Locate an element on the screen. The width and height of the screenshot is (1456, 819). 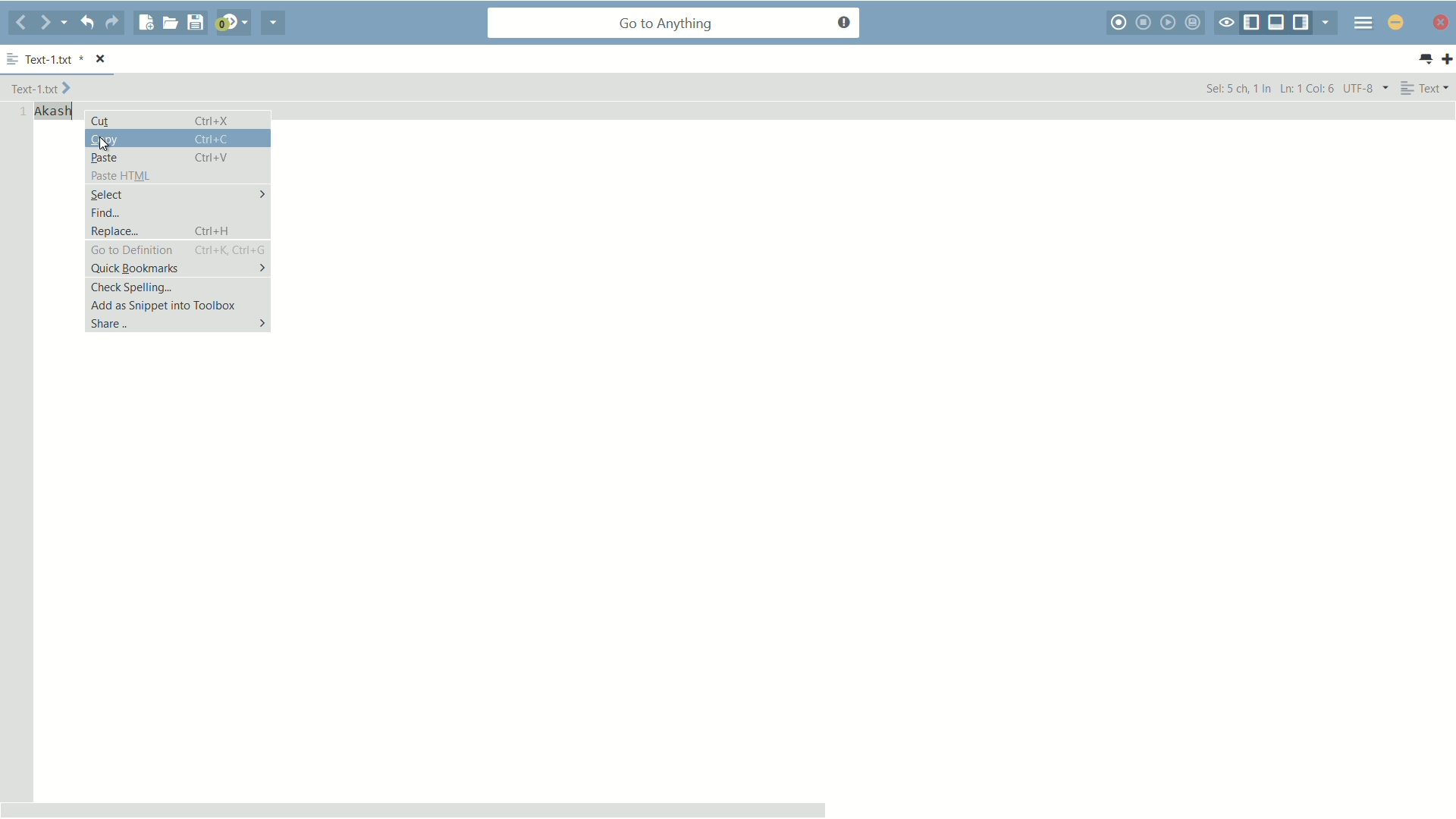
line number is located at coordinates (20, 112).